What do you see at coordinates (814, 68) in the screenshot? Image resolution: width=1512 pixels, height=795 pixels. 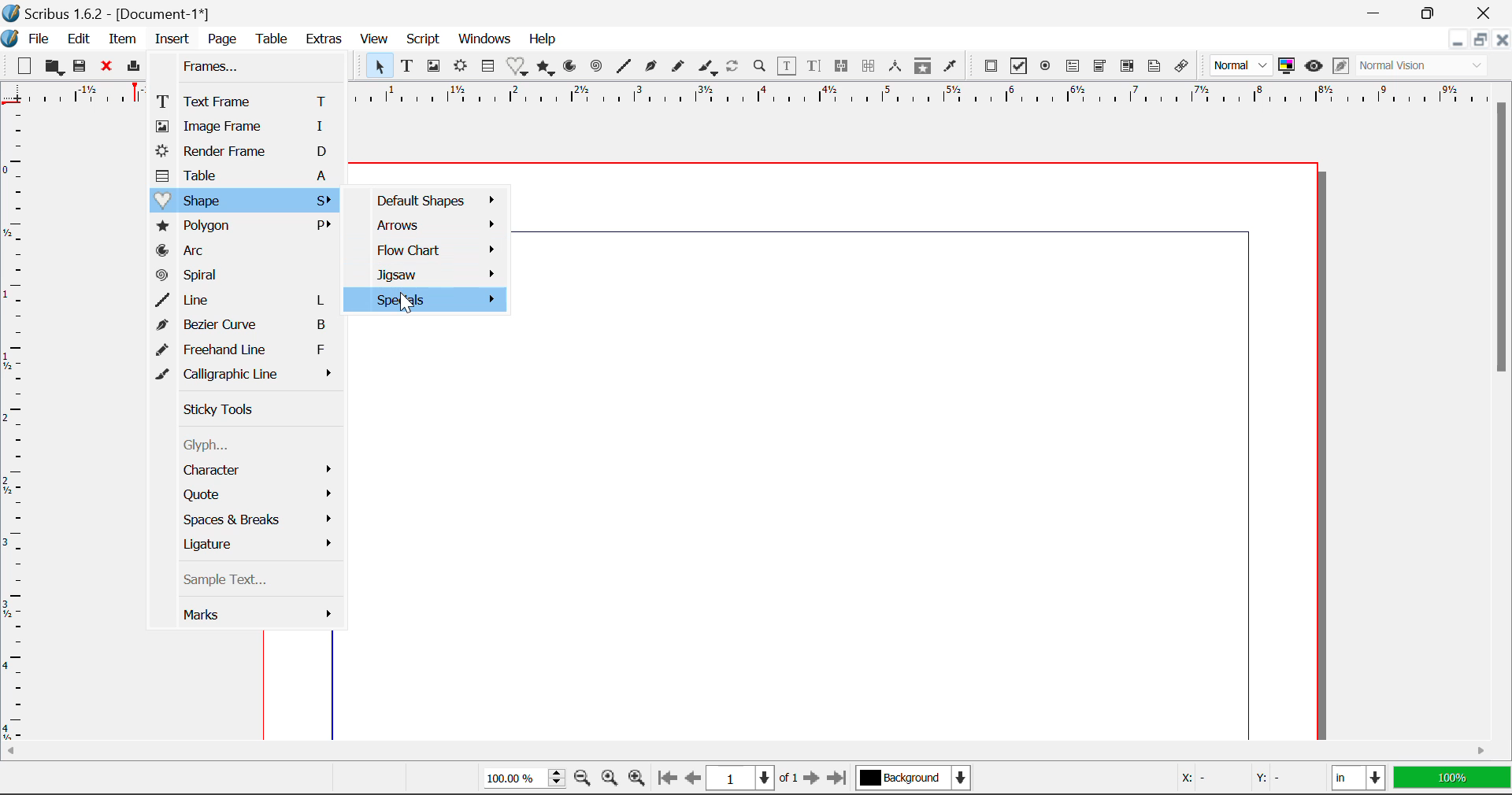 I see `Edit Text in Story Editor` at bounding box center [814, 68].